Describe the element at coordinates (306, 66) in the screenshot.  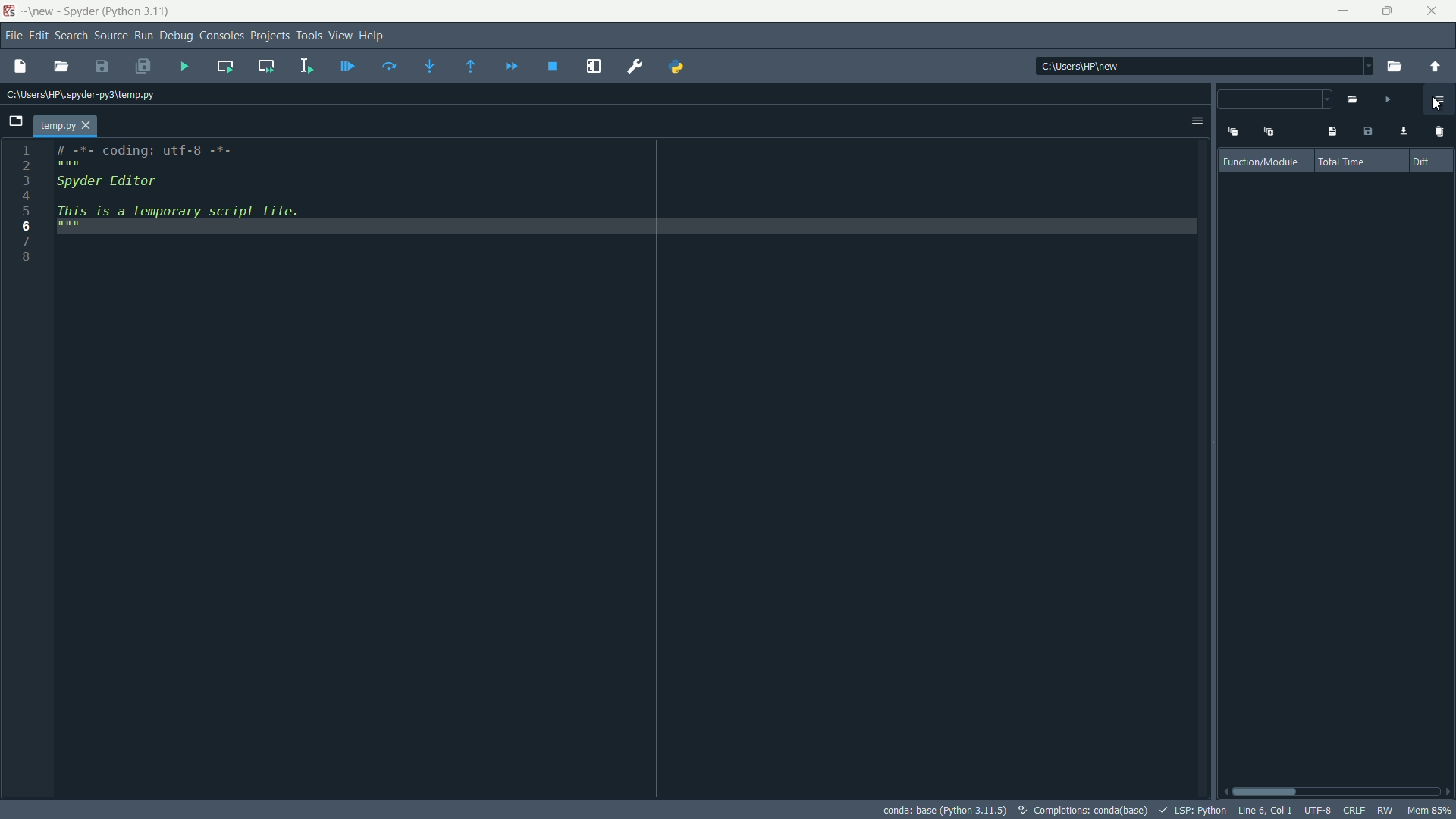
I see `run selection` at that location.